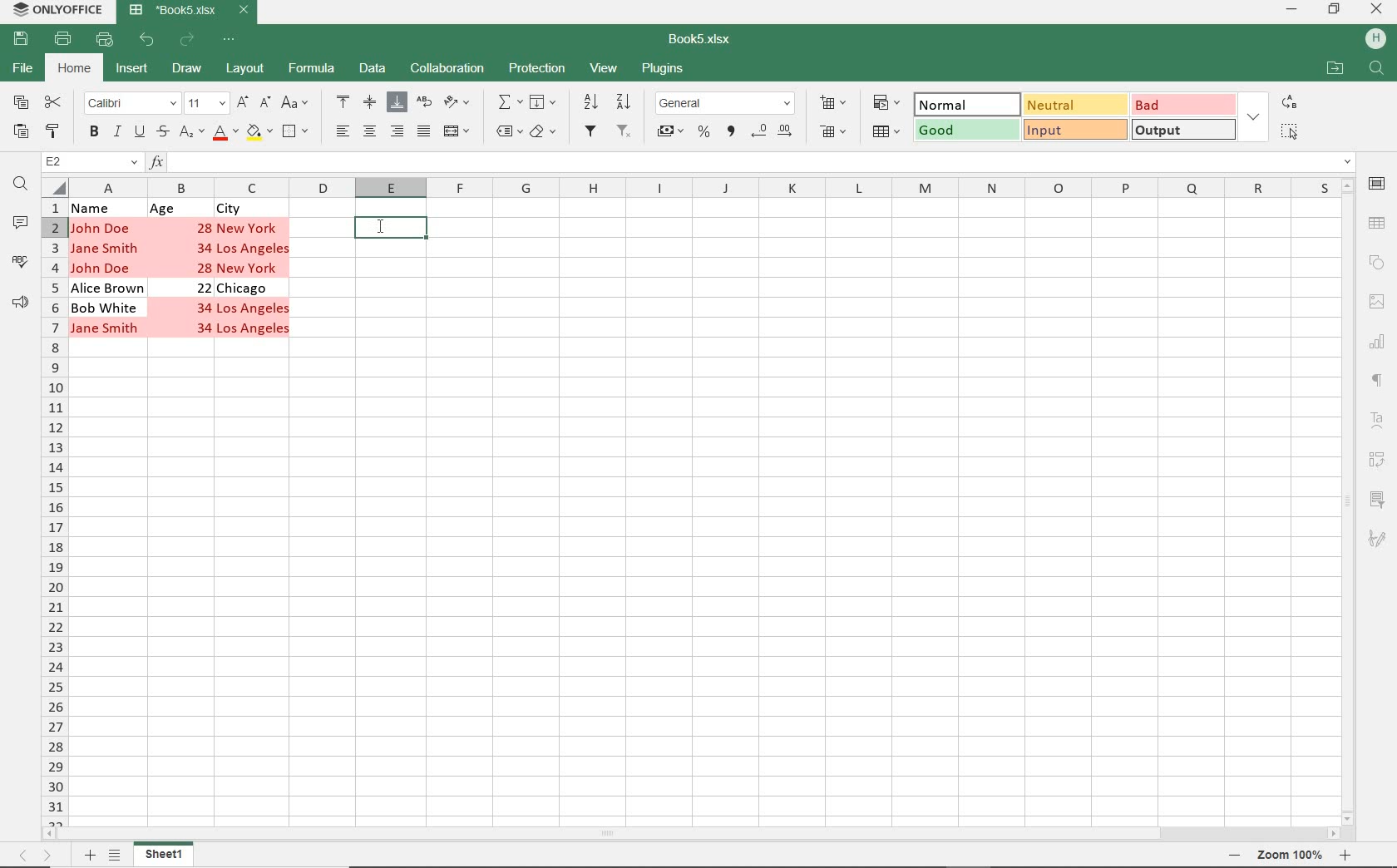 The height and width of the screenshot is (868, 1397). What do you see at coordinates (93, 208) in the screenshot?
I see `Name` at bounding box center [93, 208].